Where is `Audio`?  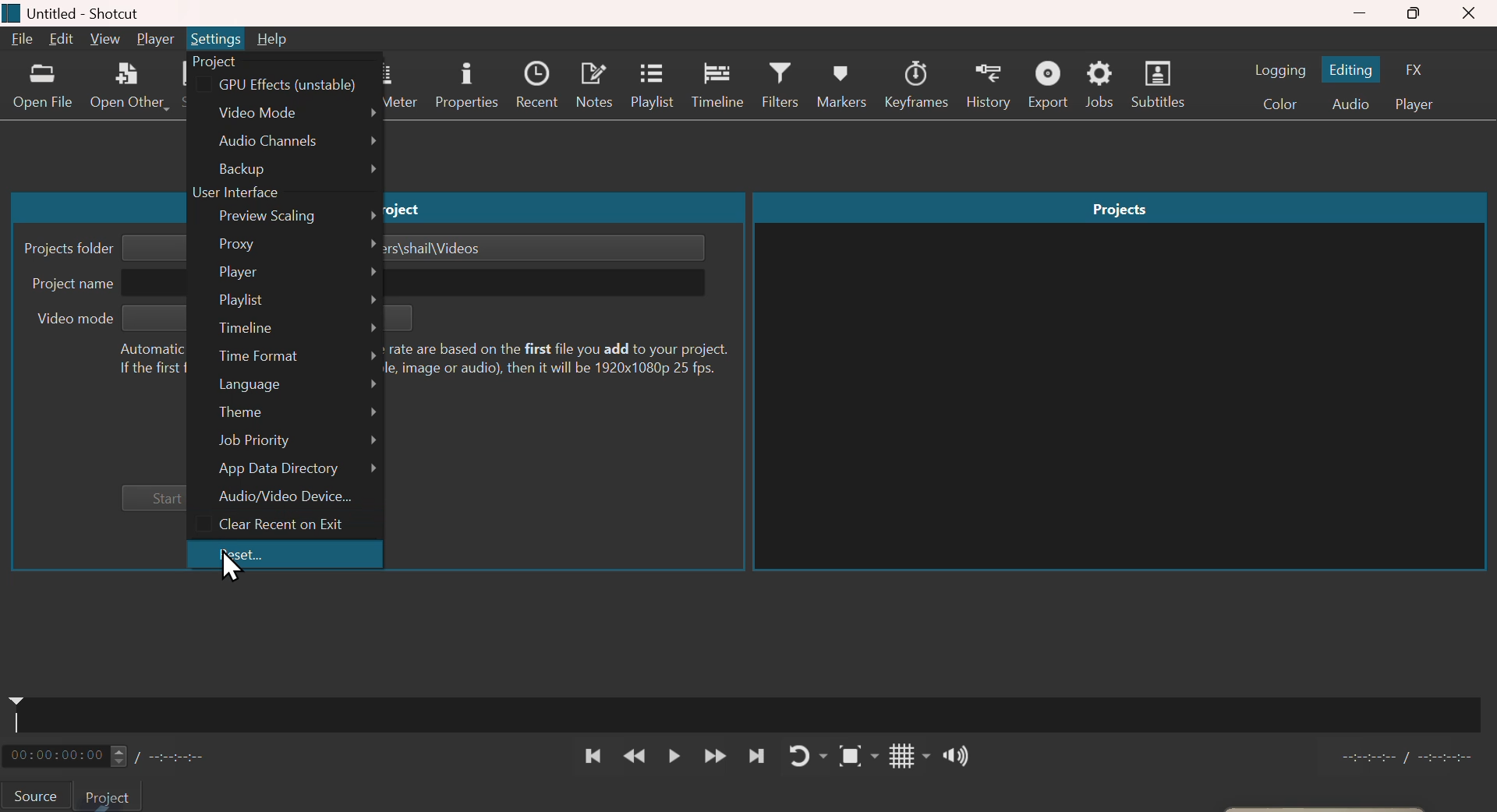 Audio is located at coordinates (1351, 104).